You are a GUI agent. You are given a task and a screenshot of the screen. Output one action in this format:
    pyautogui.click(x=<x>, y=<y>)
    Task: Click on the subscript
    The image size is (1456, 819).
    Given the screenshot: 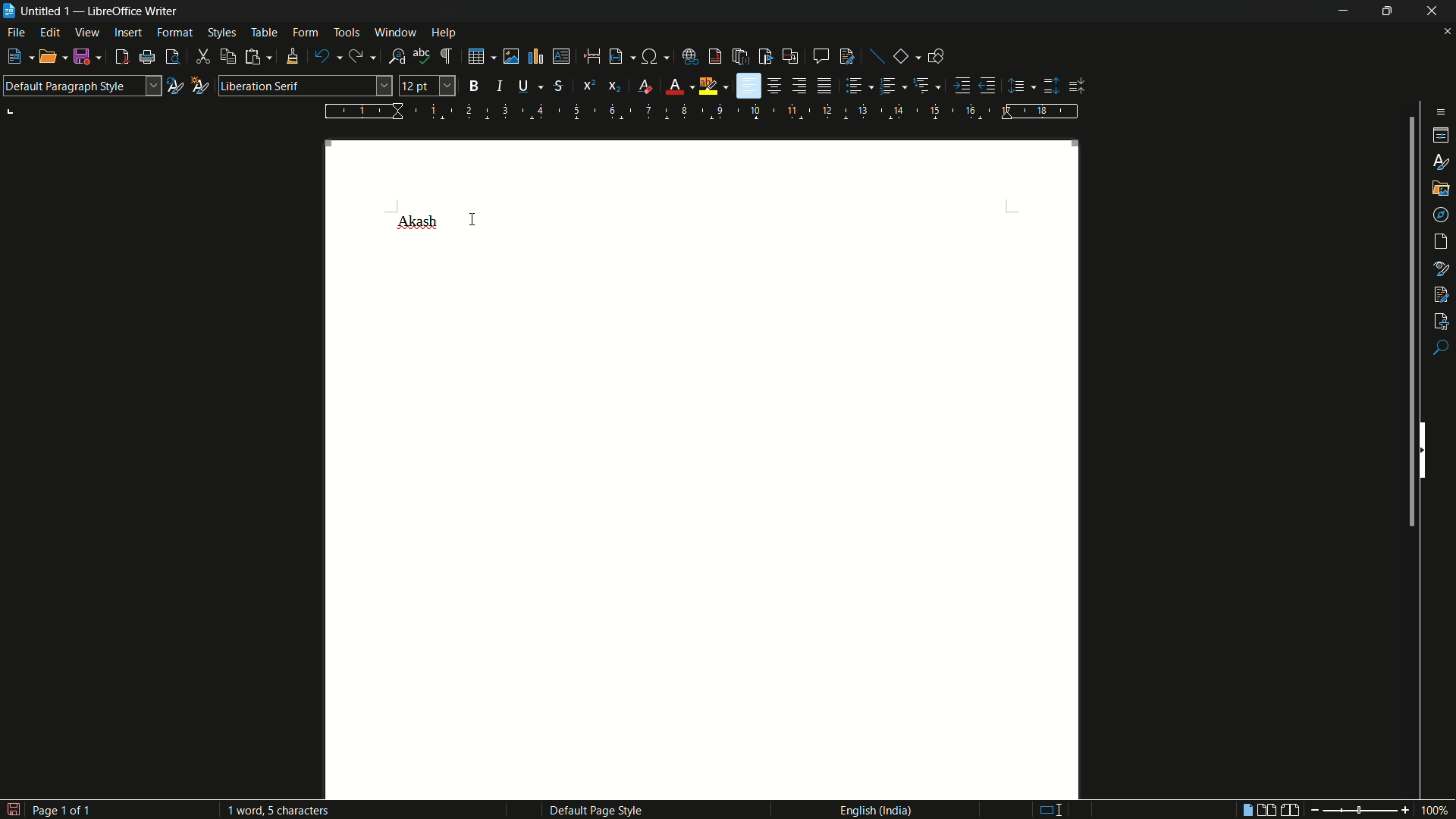 What is the action you would take?
    pyautogui.click(x=616, y=86)
    